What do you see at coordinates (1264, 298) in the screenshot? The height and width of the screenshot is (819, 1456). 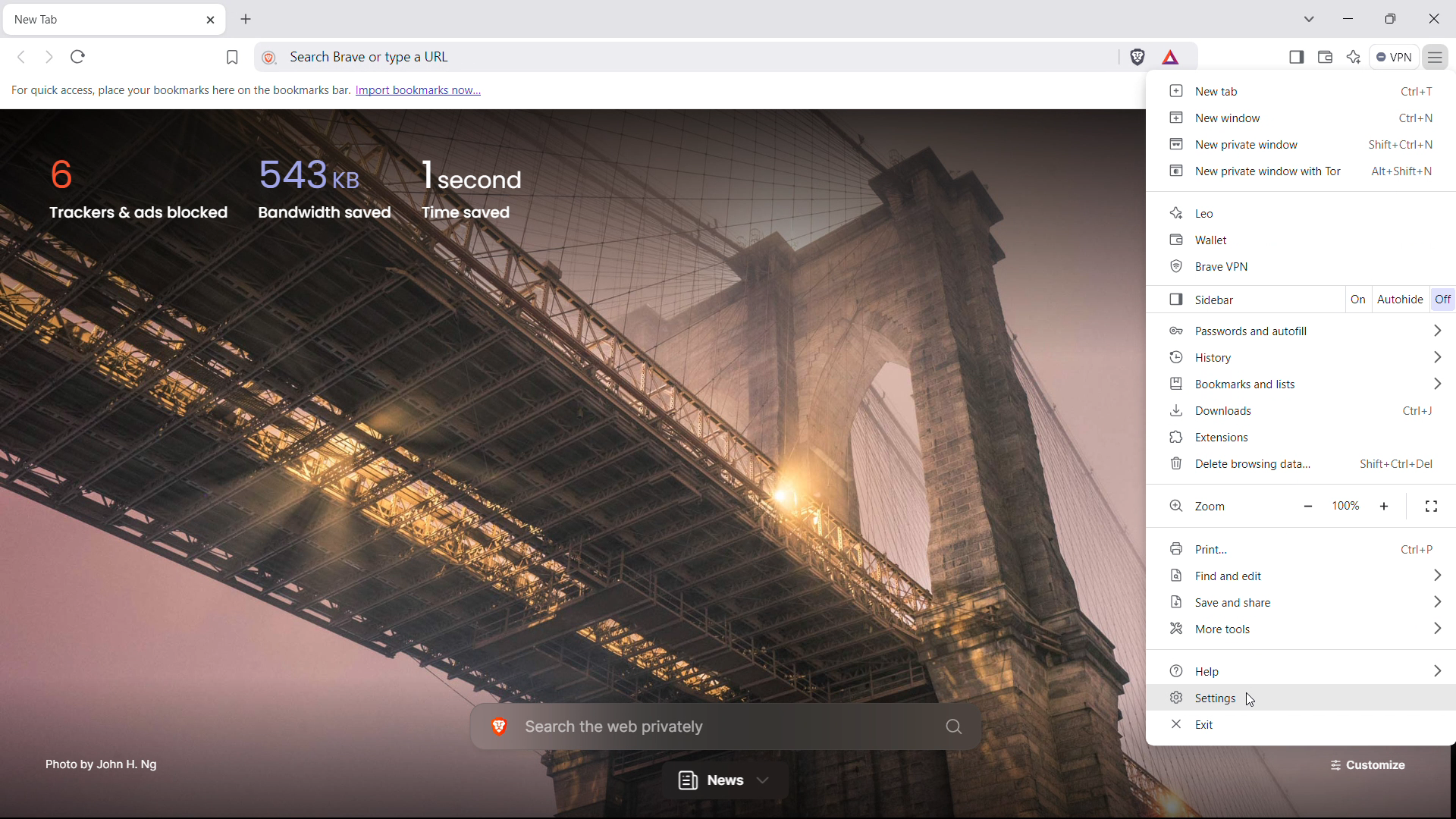 I see `sidebar toggle` at bounding box center [1264, 298].